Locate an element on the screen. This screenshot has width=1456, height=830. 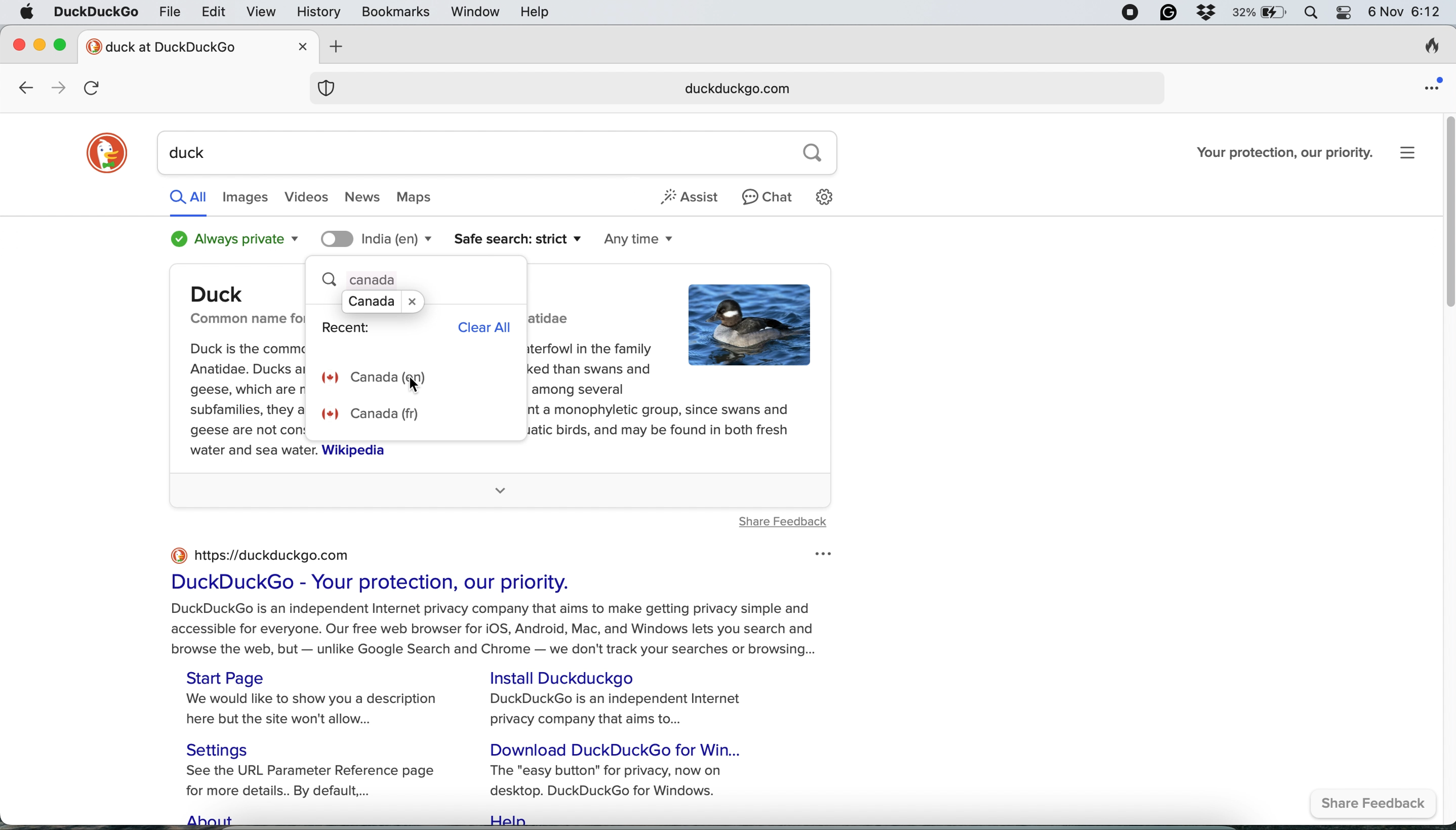
file is located at coordinates (170, 11).